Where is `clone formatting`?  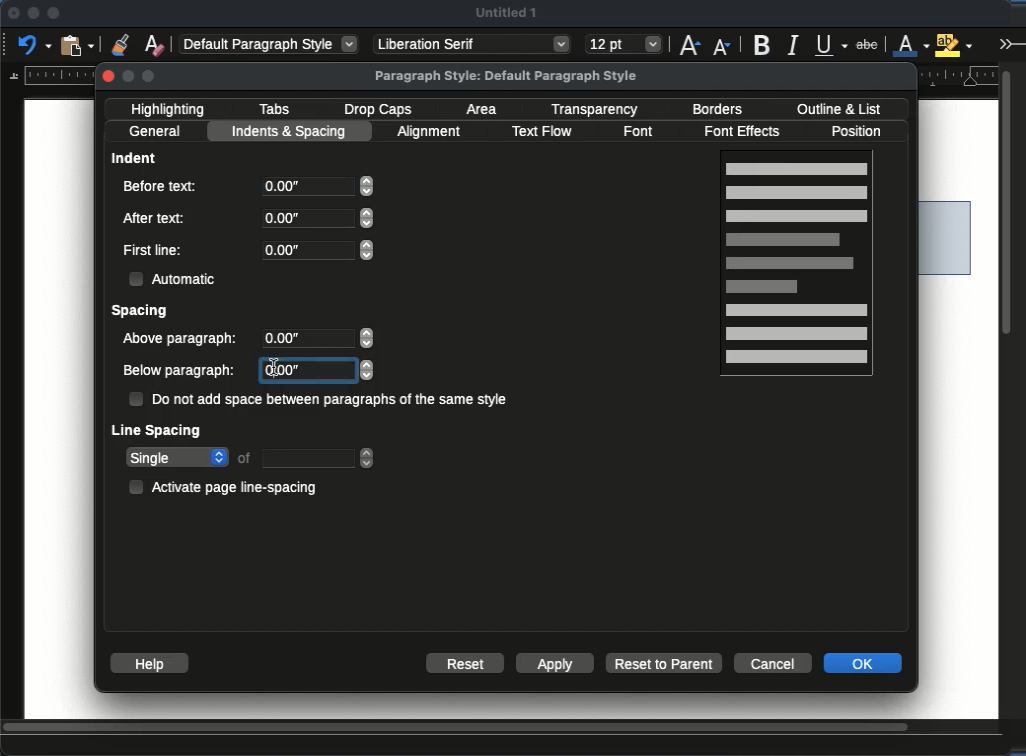 clone formatting is located at coordinates (120, 44).